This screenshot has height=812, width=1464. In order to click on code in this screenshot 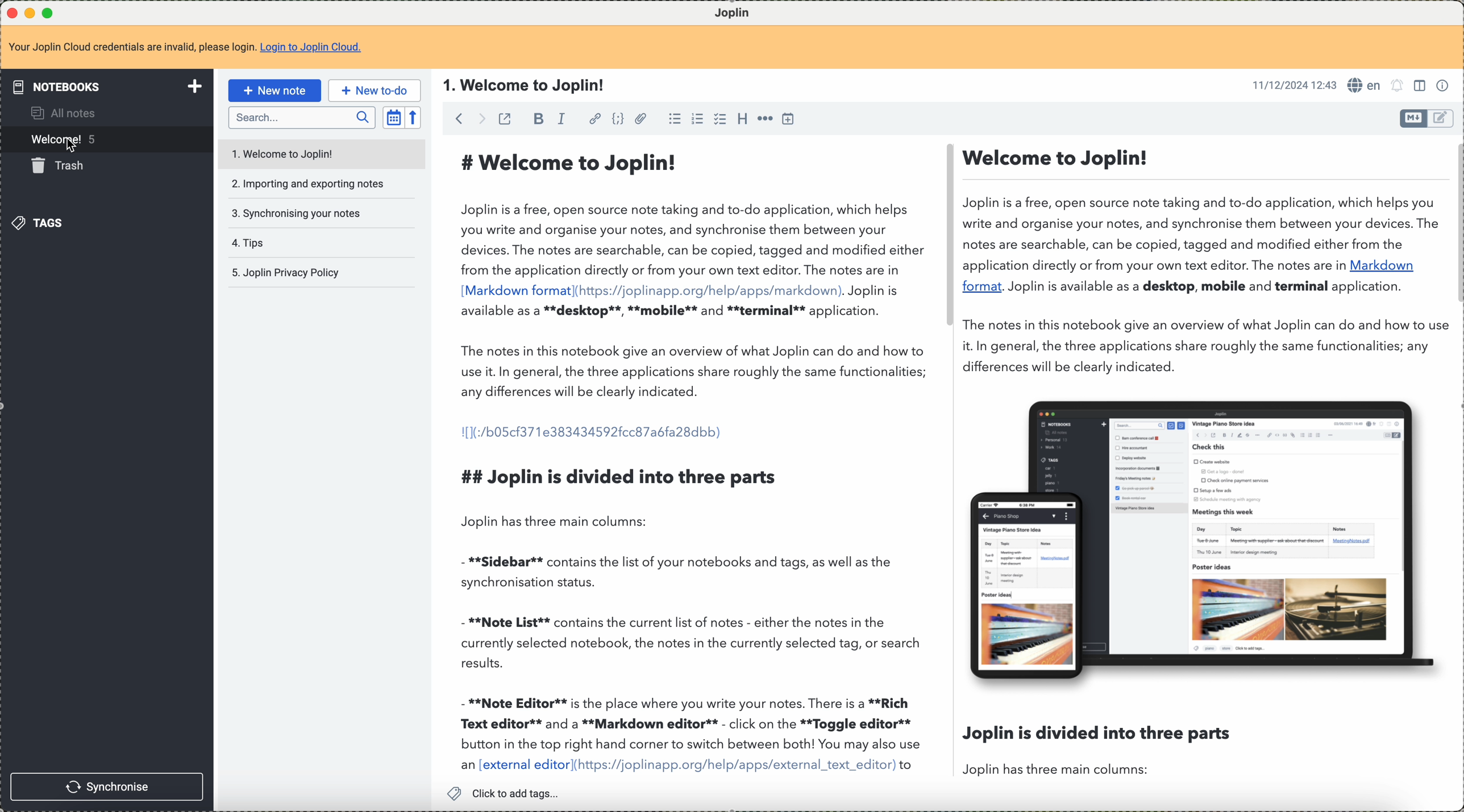, I will do `click(615, 119)`.